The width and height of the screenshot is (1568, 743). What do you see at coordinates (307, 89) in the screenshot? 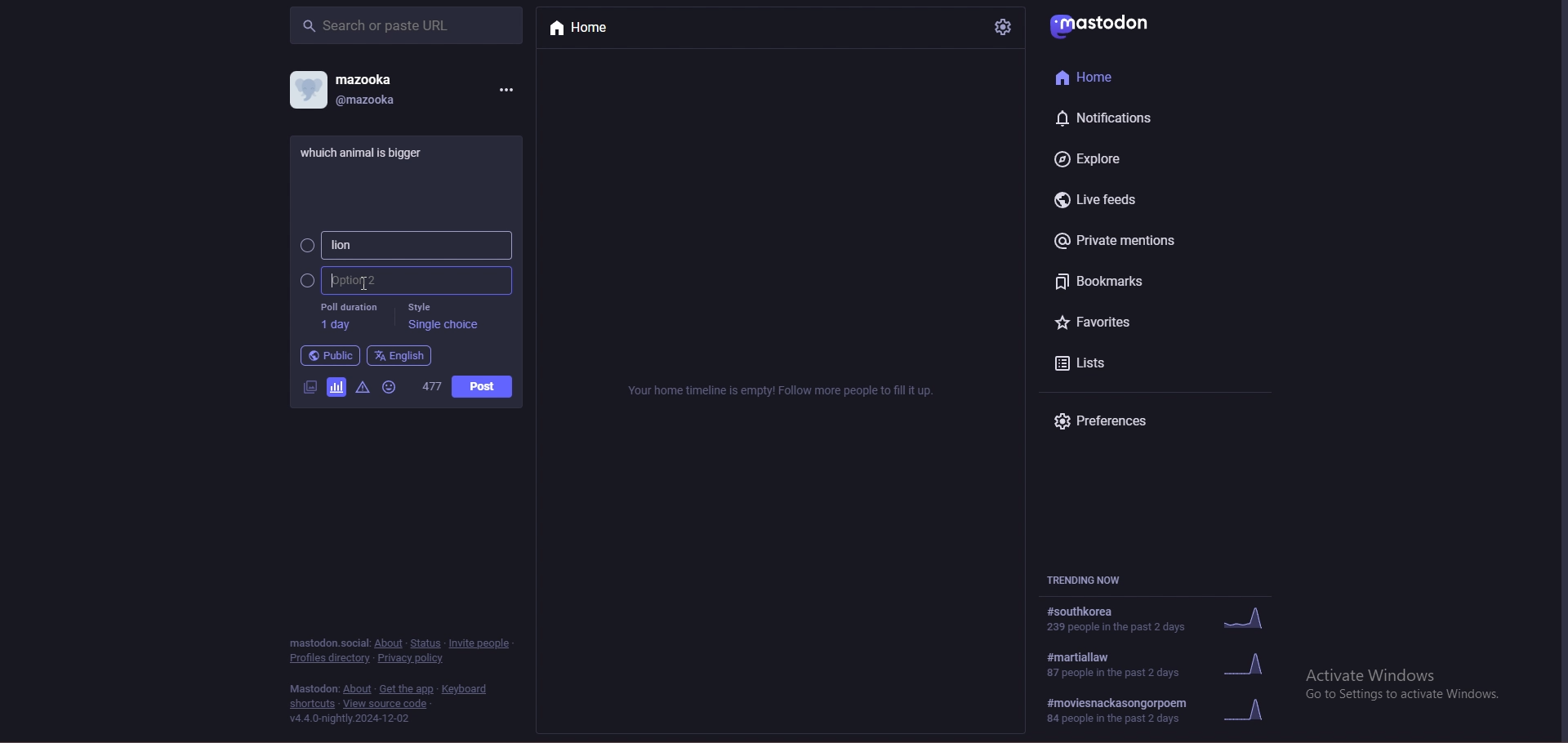
I see `profile` at bounding box center [307, 89].